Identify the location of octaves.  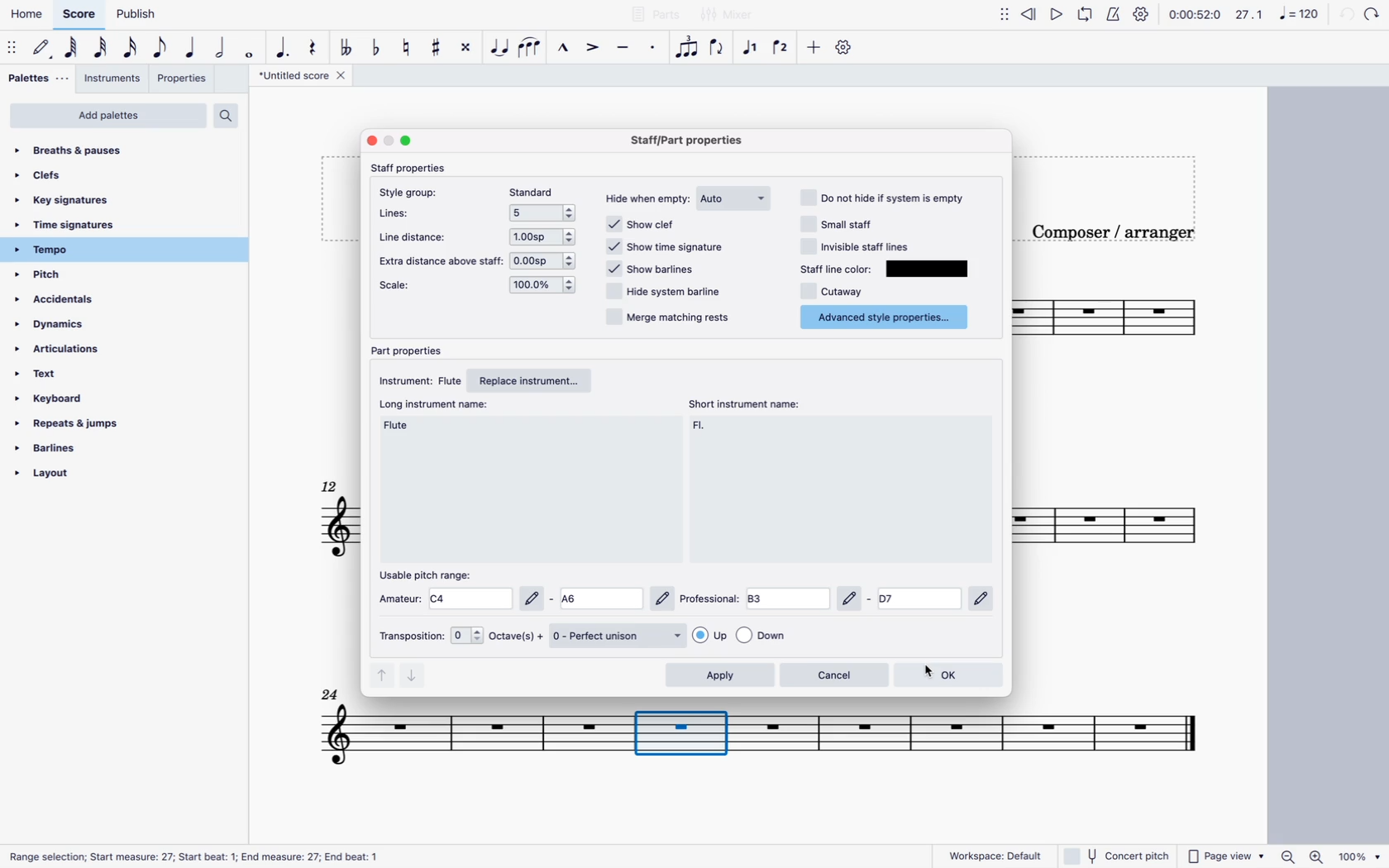
(498, 637).